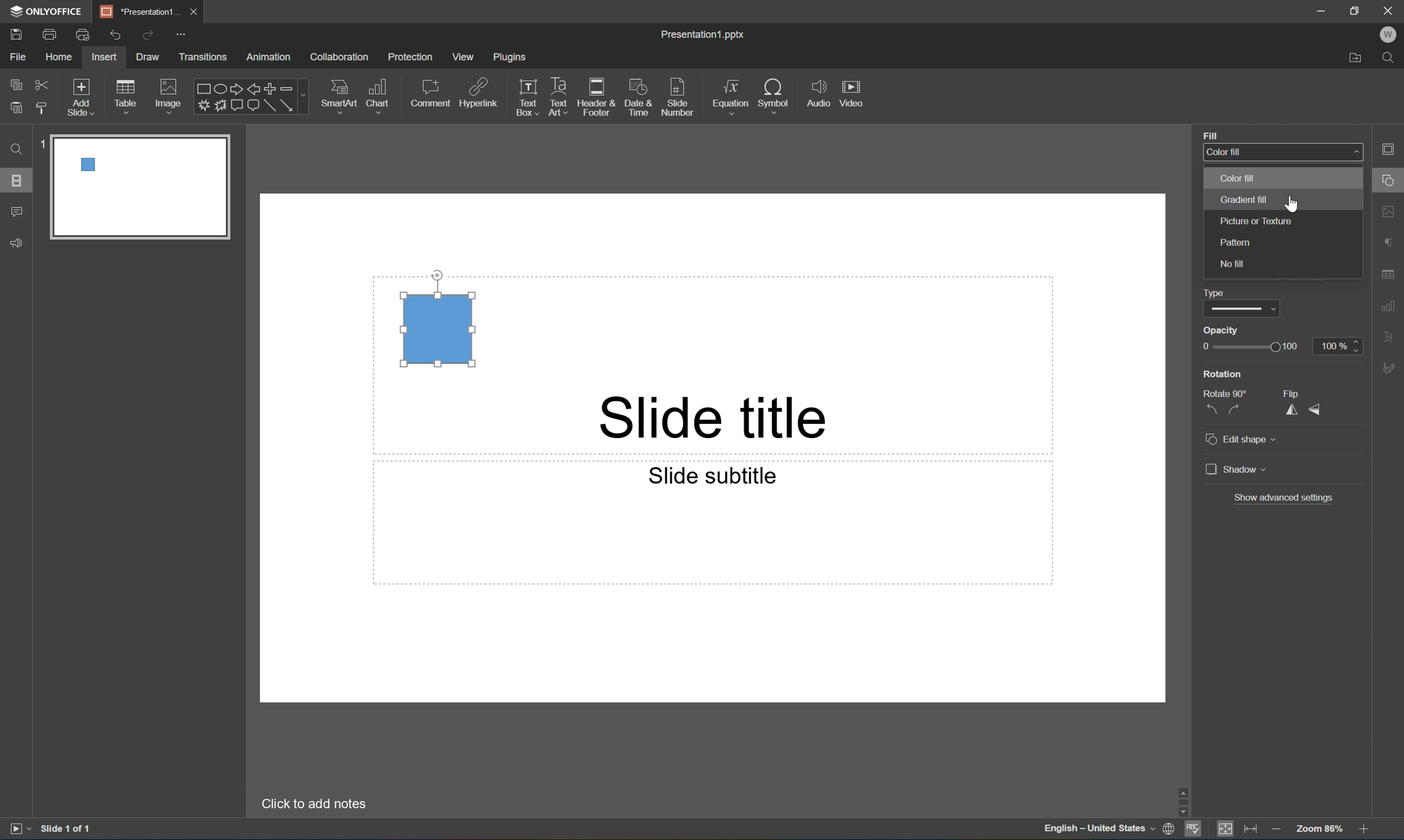  I want to click on Close, so click(192, 12).